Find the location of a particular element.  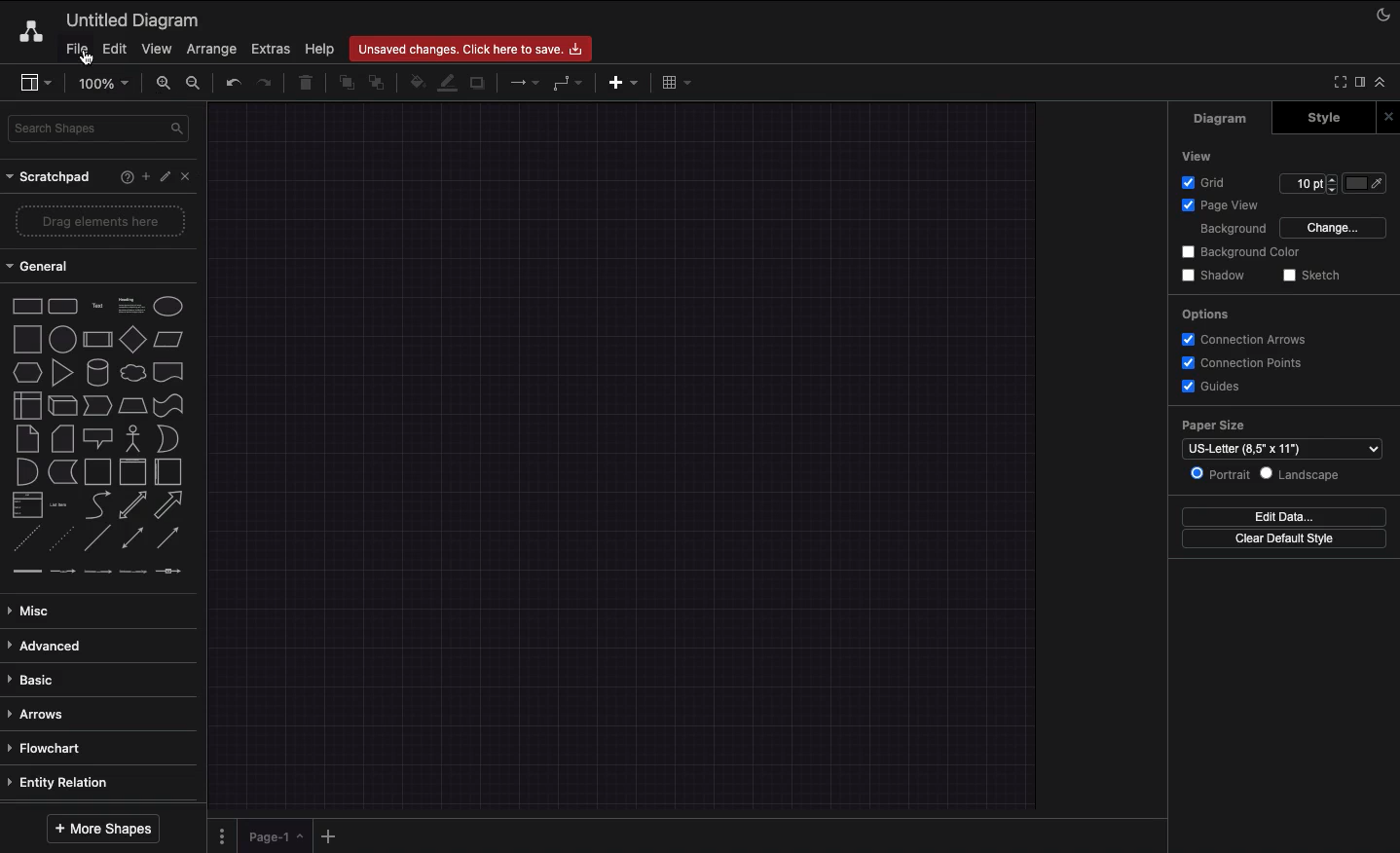

Connection  is located at coordinates (525, 83).